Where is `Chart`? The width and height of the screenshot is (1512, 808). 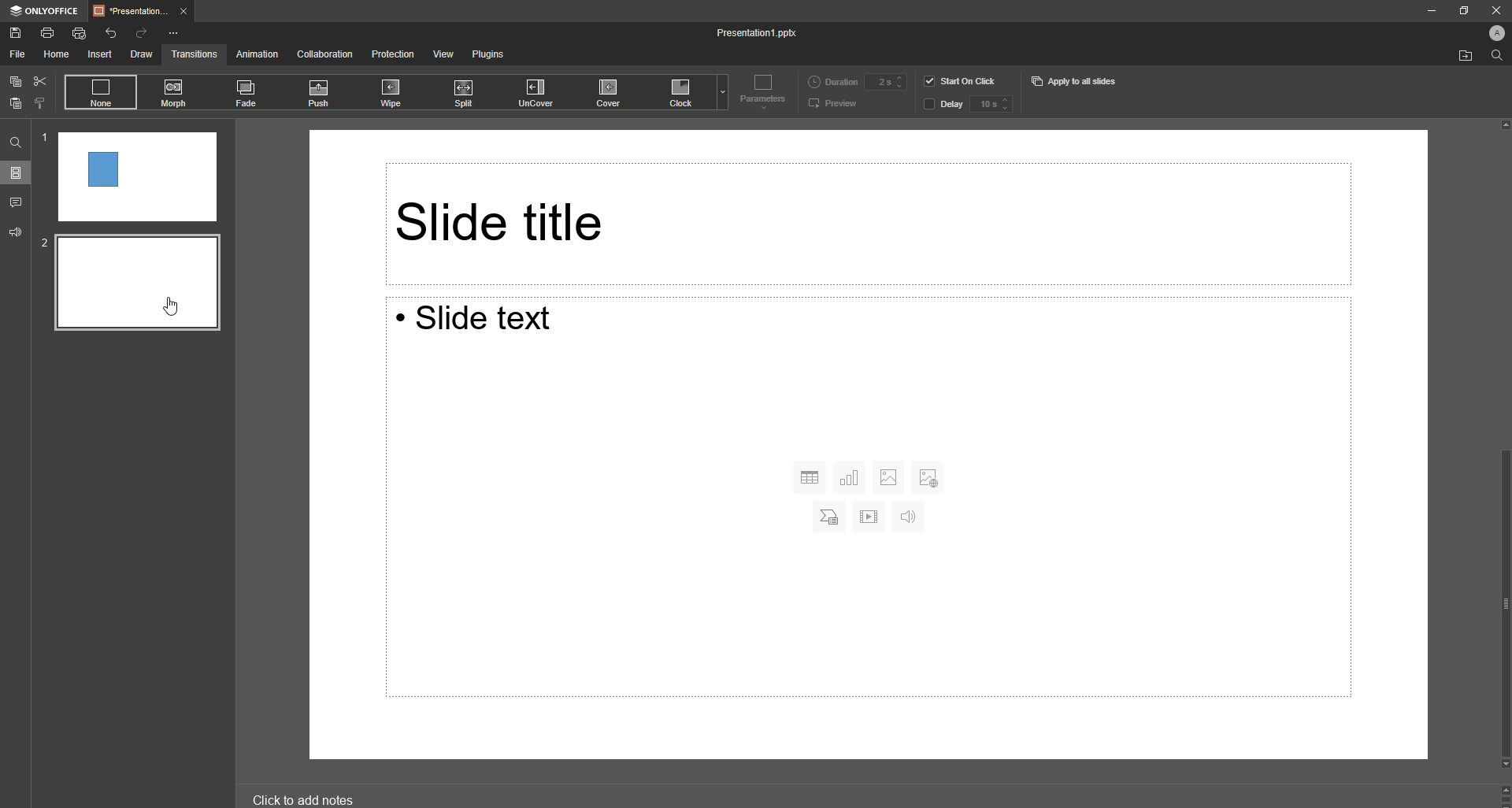 Chart is located at coordinates (851, 478).